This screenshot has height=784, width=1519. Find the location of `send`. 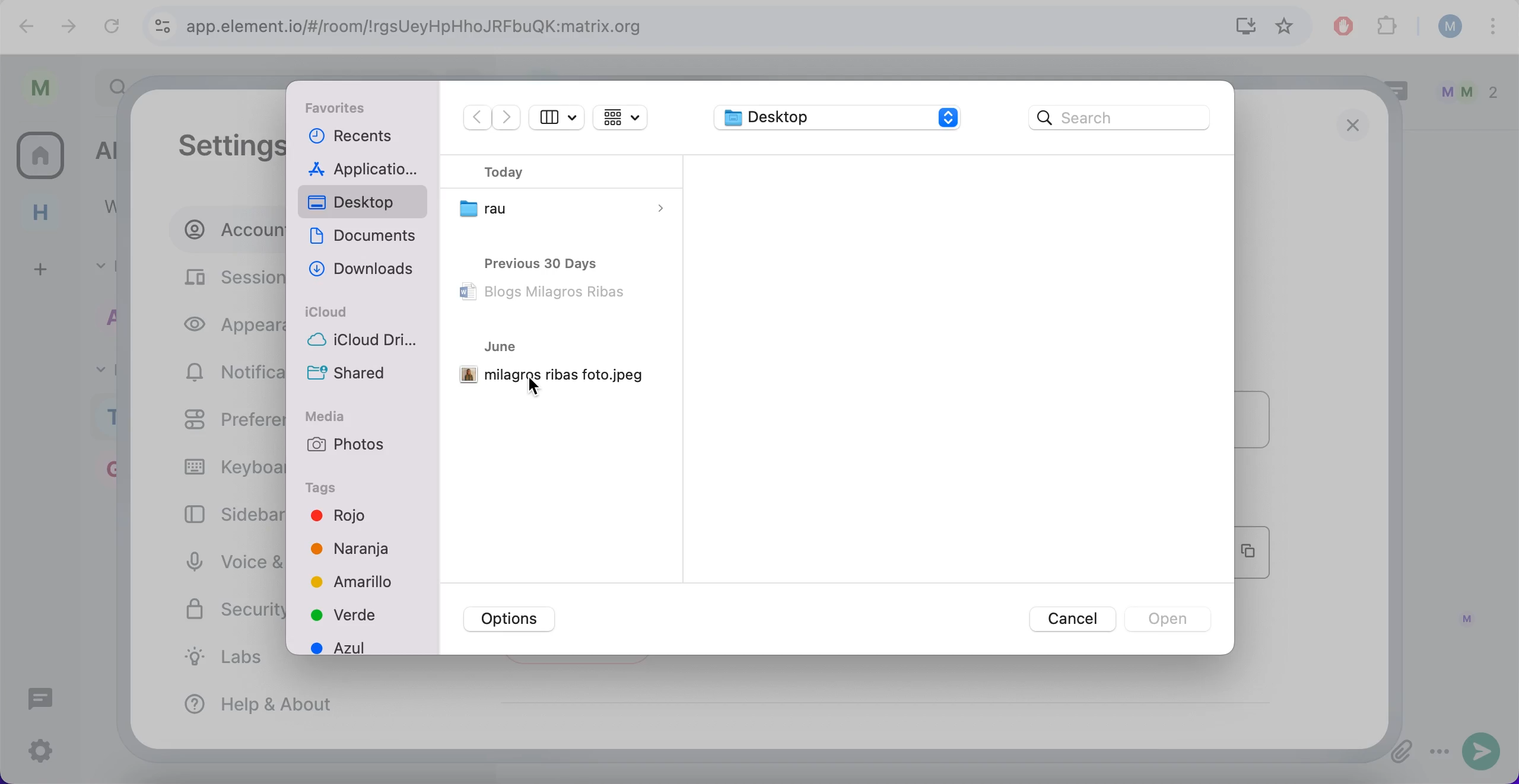

send is located at coordinates (1482, 754).